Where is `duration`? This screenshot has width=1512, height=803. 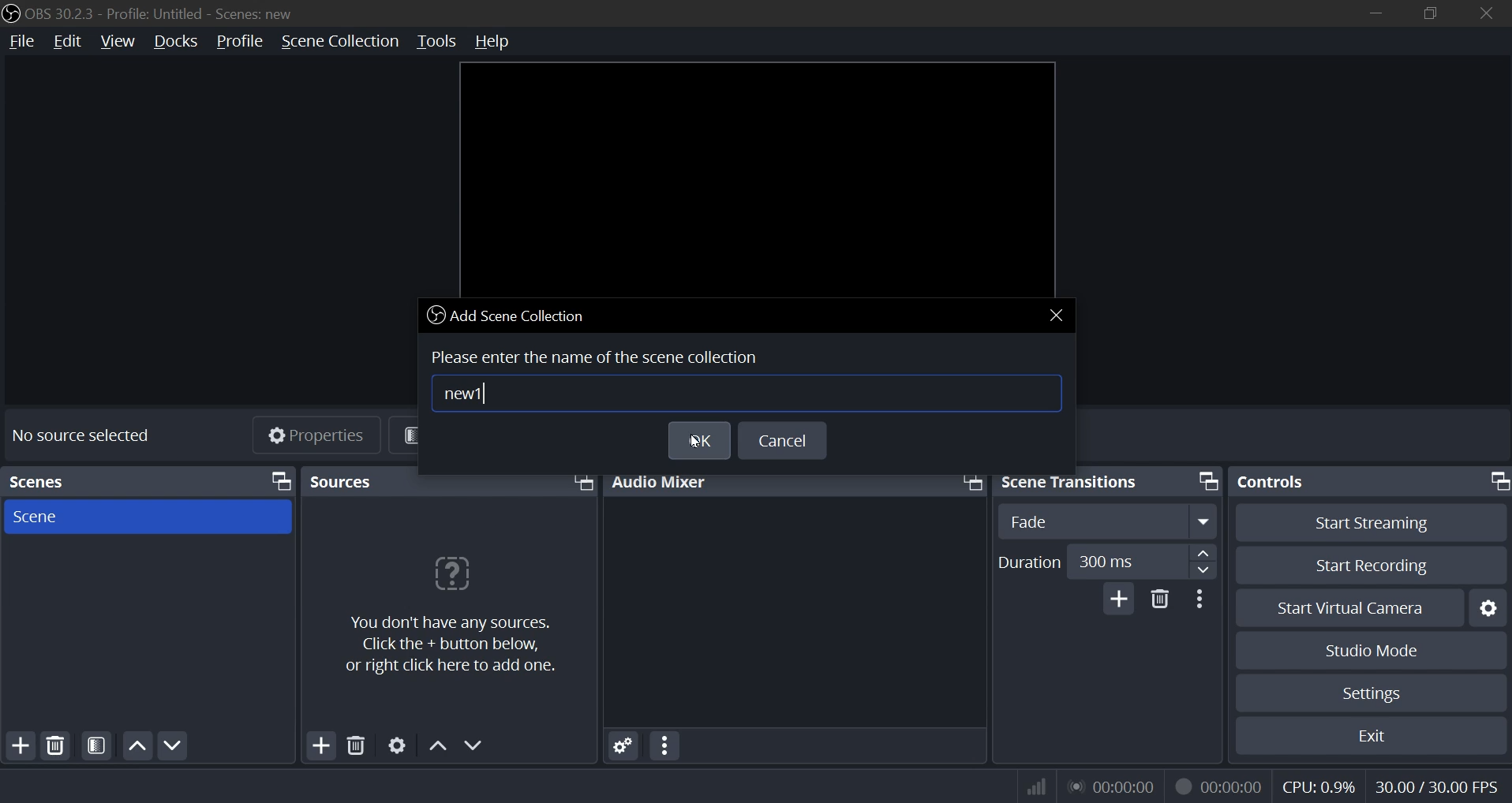
duration is located at coordinates (1031, 562).